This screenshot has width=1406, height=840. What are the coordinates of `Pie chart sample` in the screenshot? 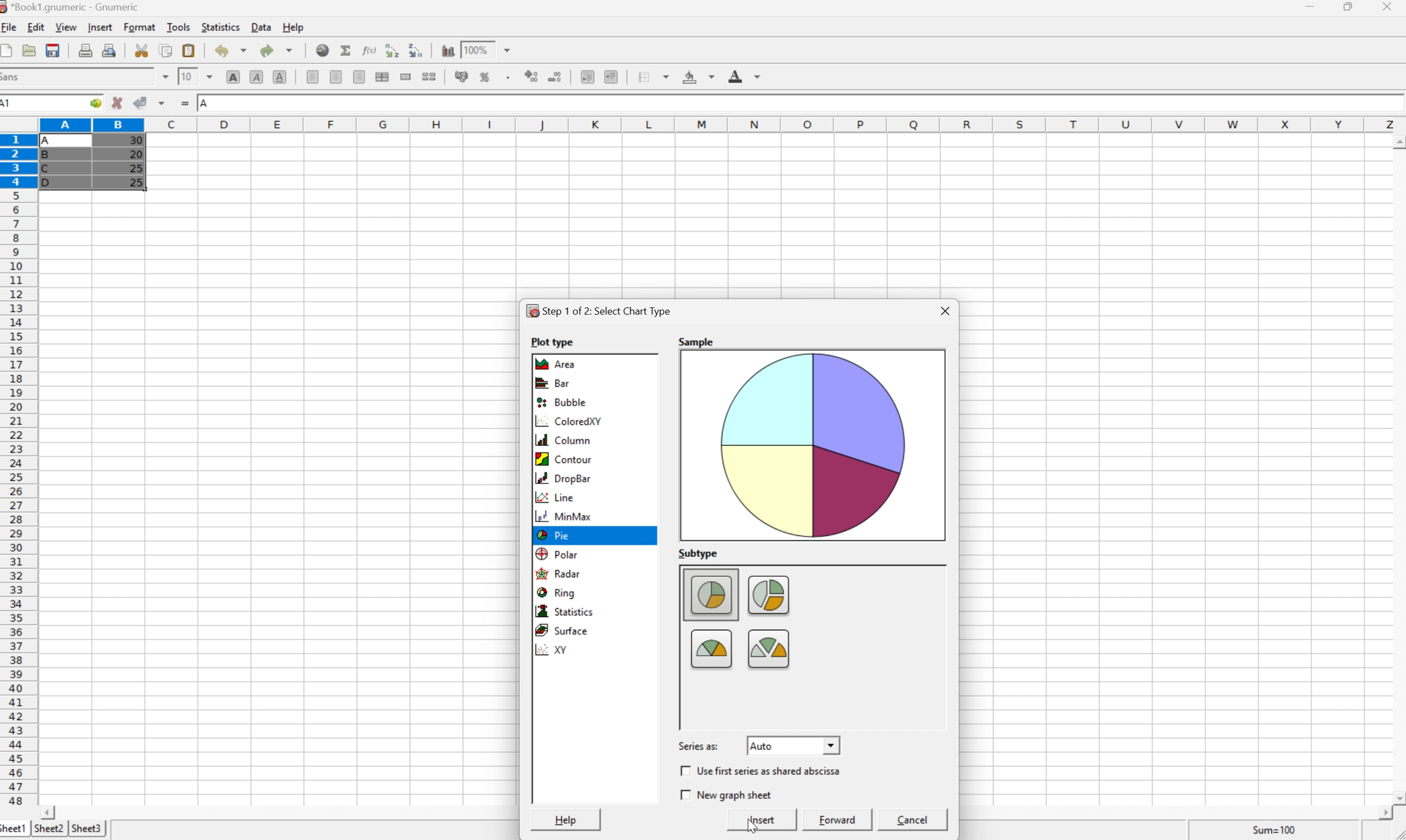 It's located at (812, 444).